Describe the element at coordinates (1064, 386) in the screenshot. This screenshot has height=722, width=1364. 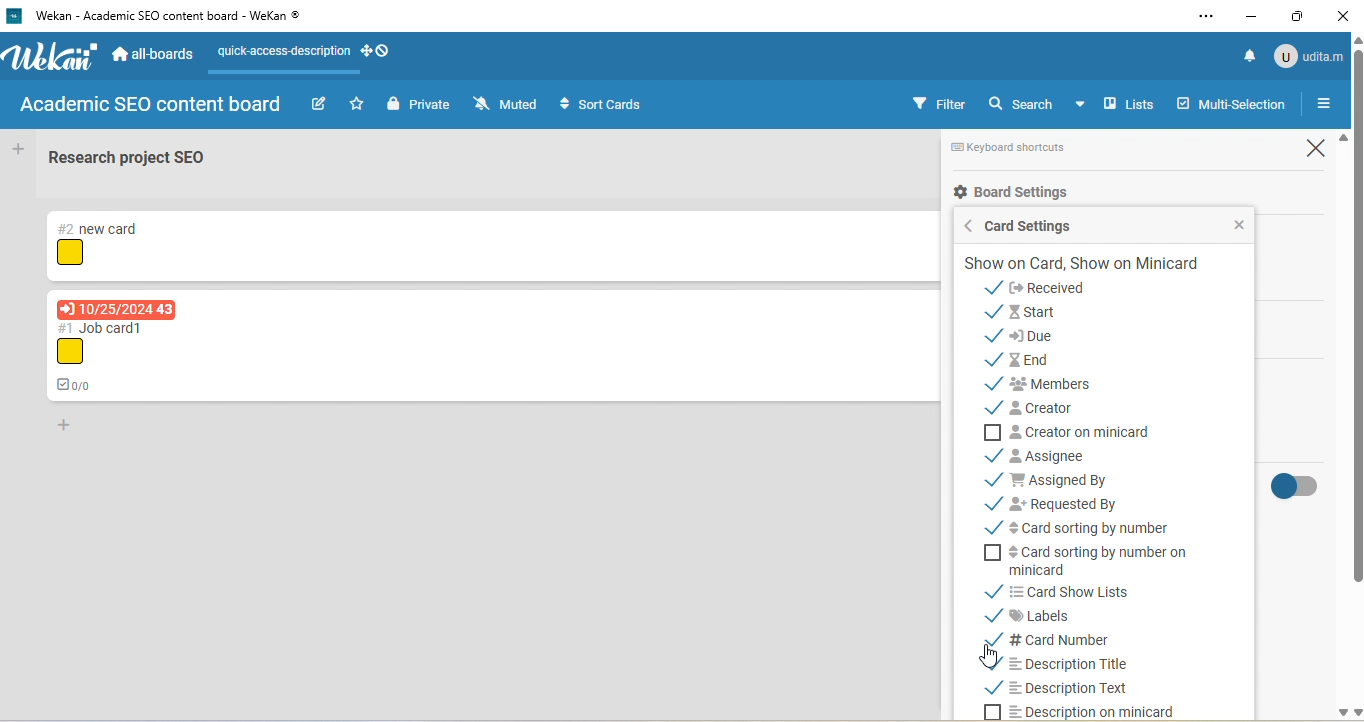
I see `members` at that location.